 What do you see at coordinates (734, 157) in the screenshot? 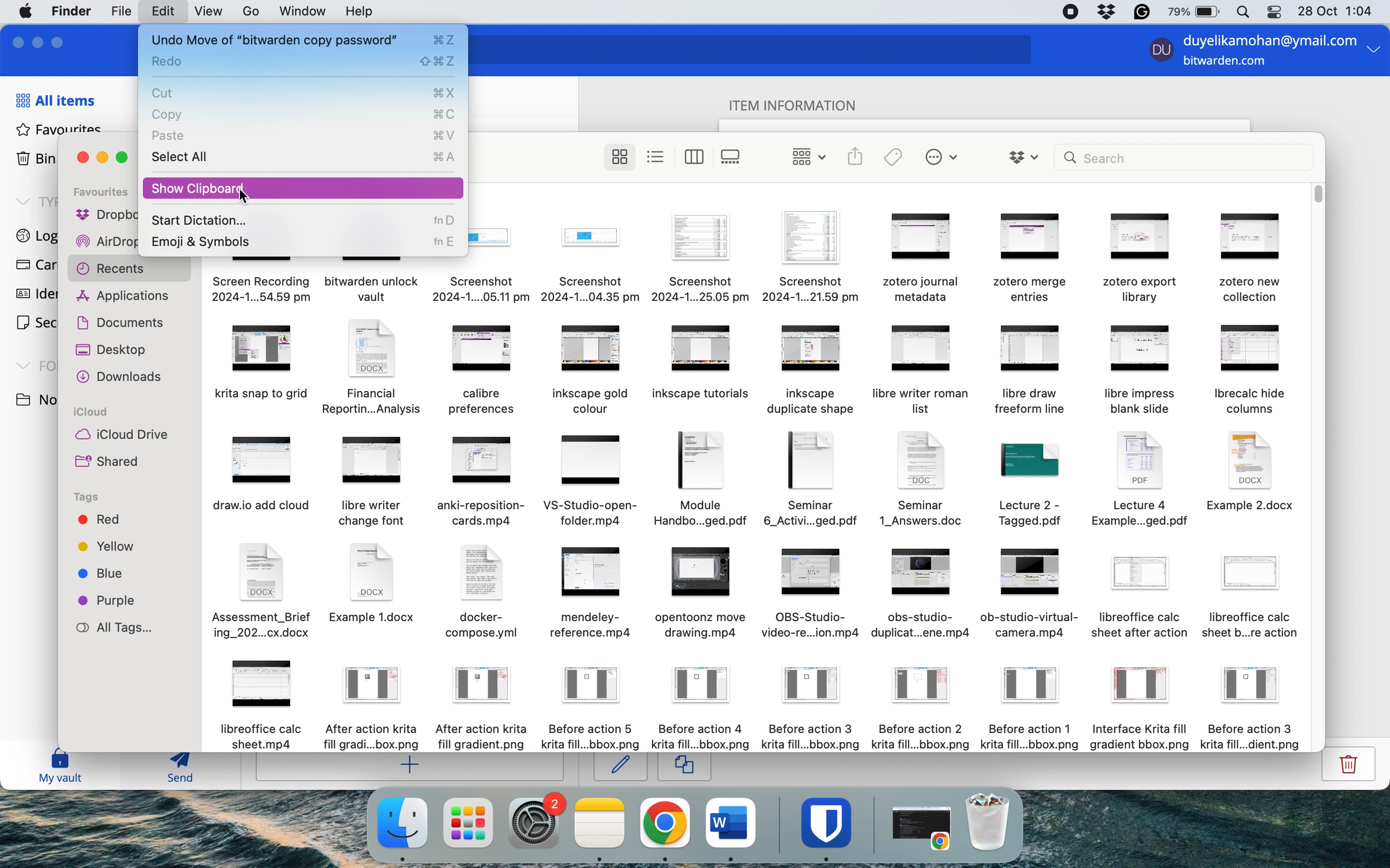
I see `show items as gallery` at bounding box center [734, 157].